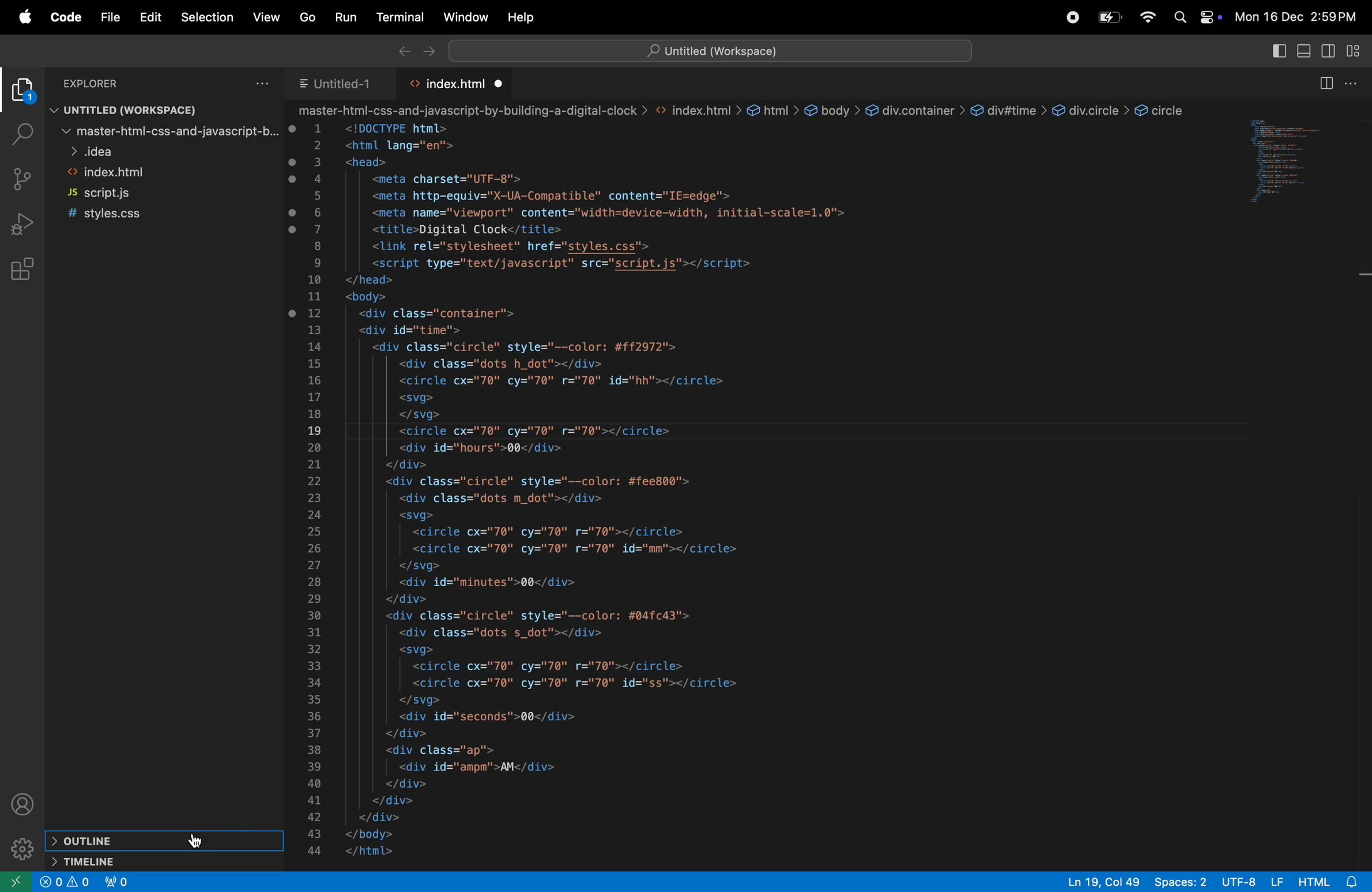 The image size is (1372, 892). Describe the element at coordinates (20, 269) in the screenshot. I see `extensions` at that location.